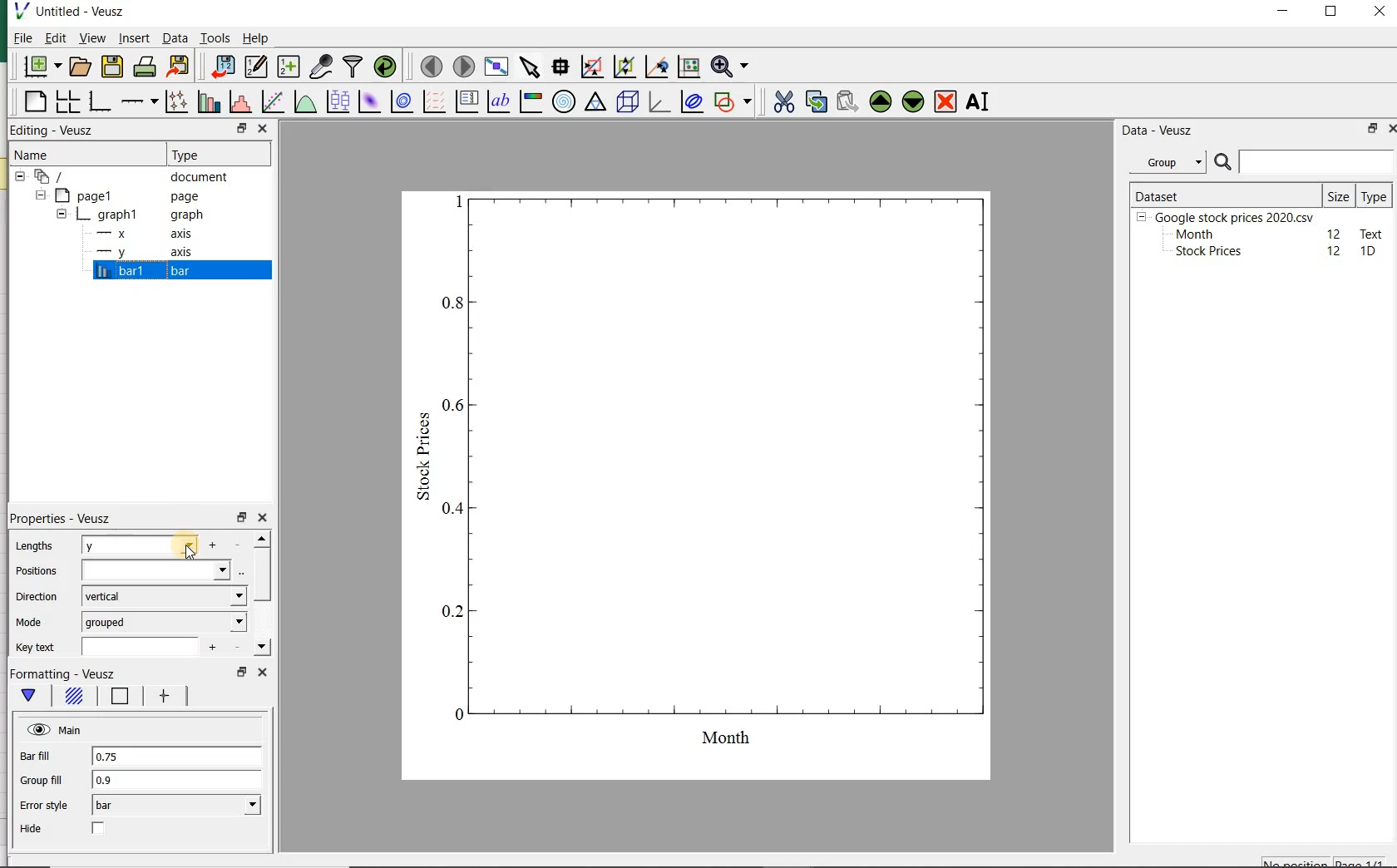  Describe the element at coordinates (975, 104) in the screenshot. I see `renames the selected widget` at that location.